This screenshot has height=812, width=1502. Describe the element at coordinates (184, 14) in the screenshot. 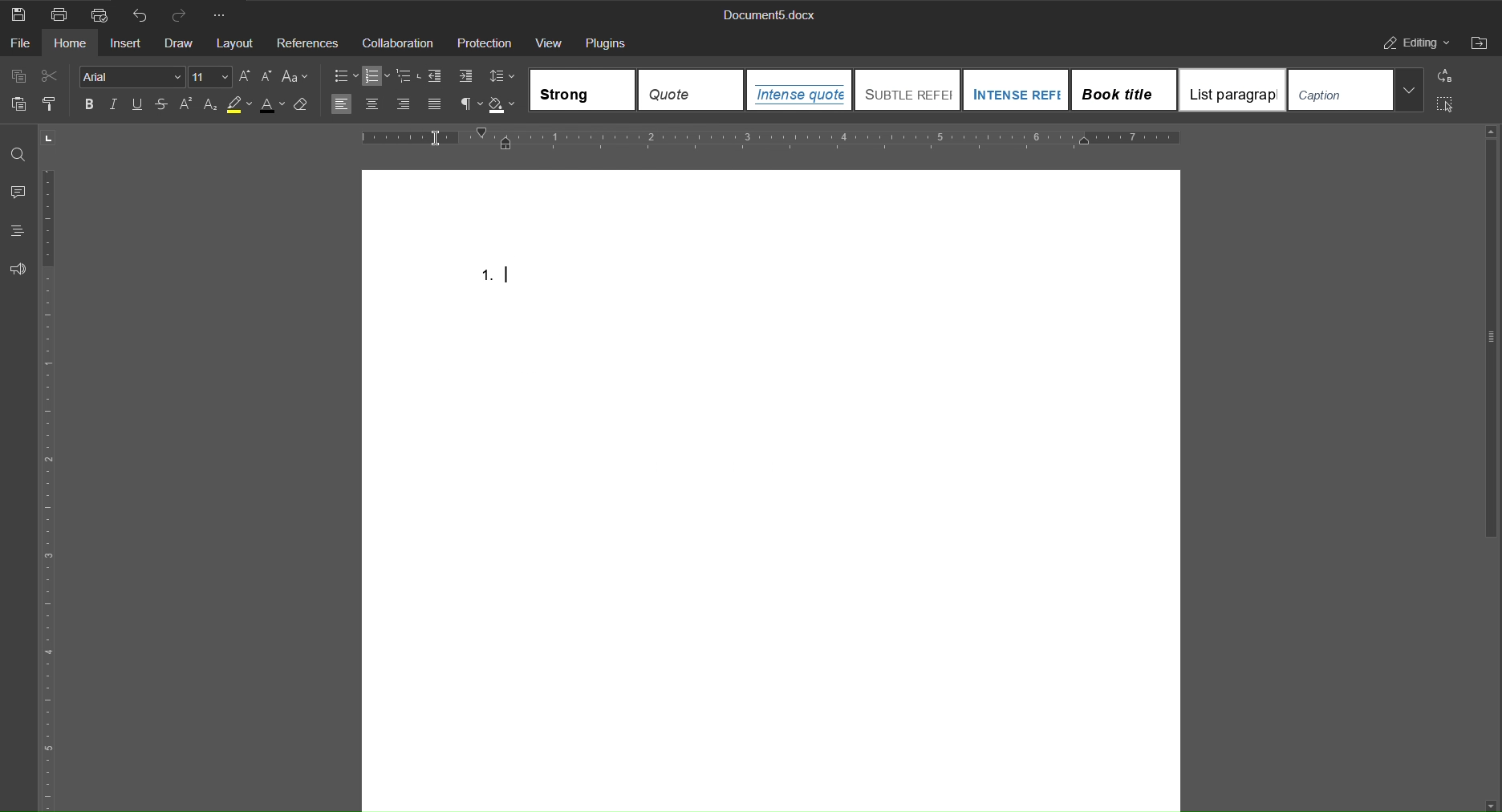

I see `Redo` at that location.